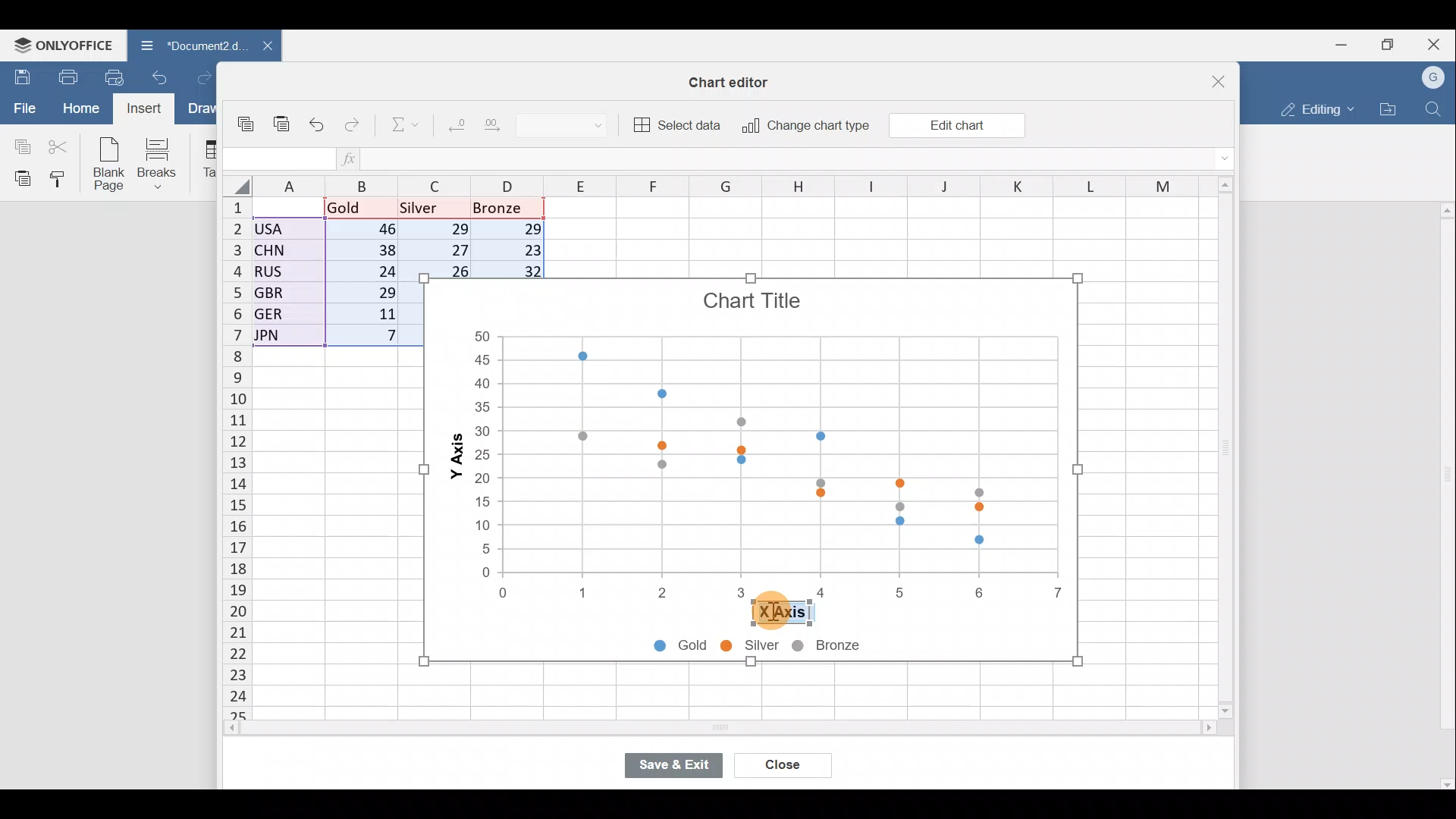 The height and width of the screenshot is (819, 1456). What do you see at coordinates (318, 122) in the screenshot?
I see `Undo` at bounding box center [318, 122].